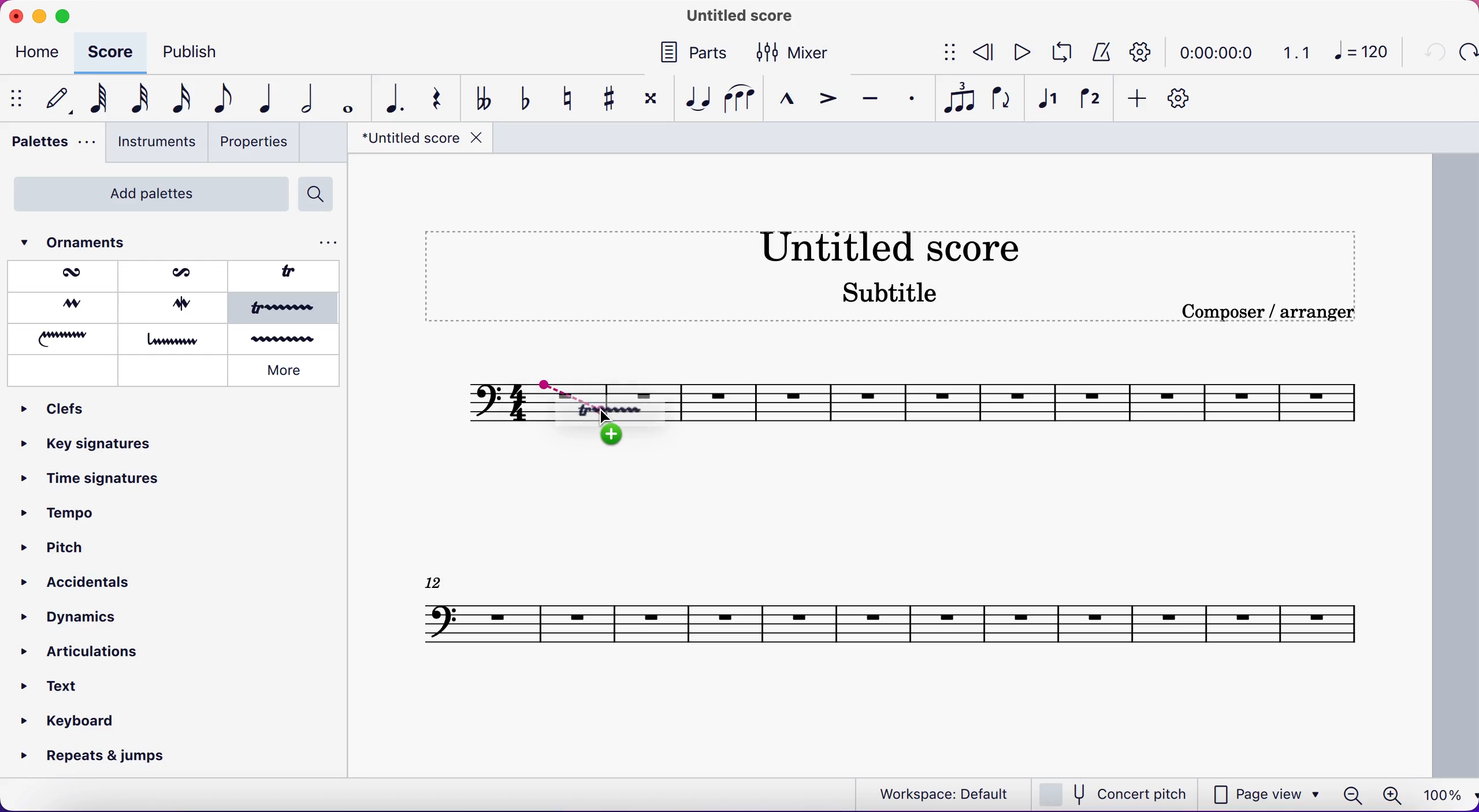 Image resolution: width=1479 pixels, height=812 pixels. Describe the element at coordinates (144, 193) in the screenshot. I see `add palettes` at that location.